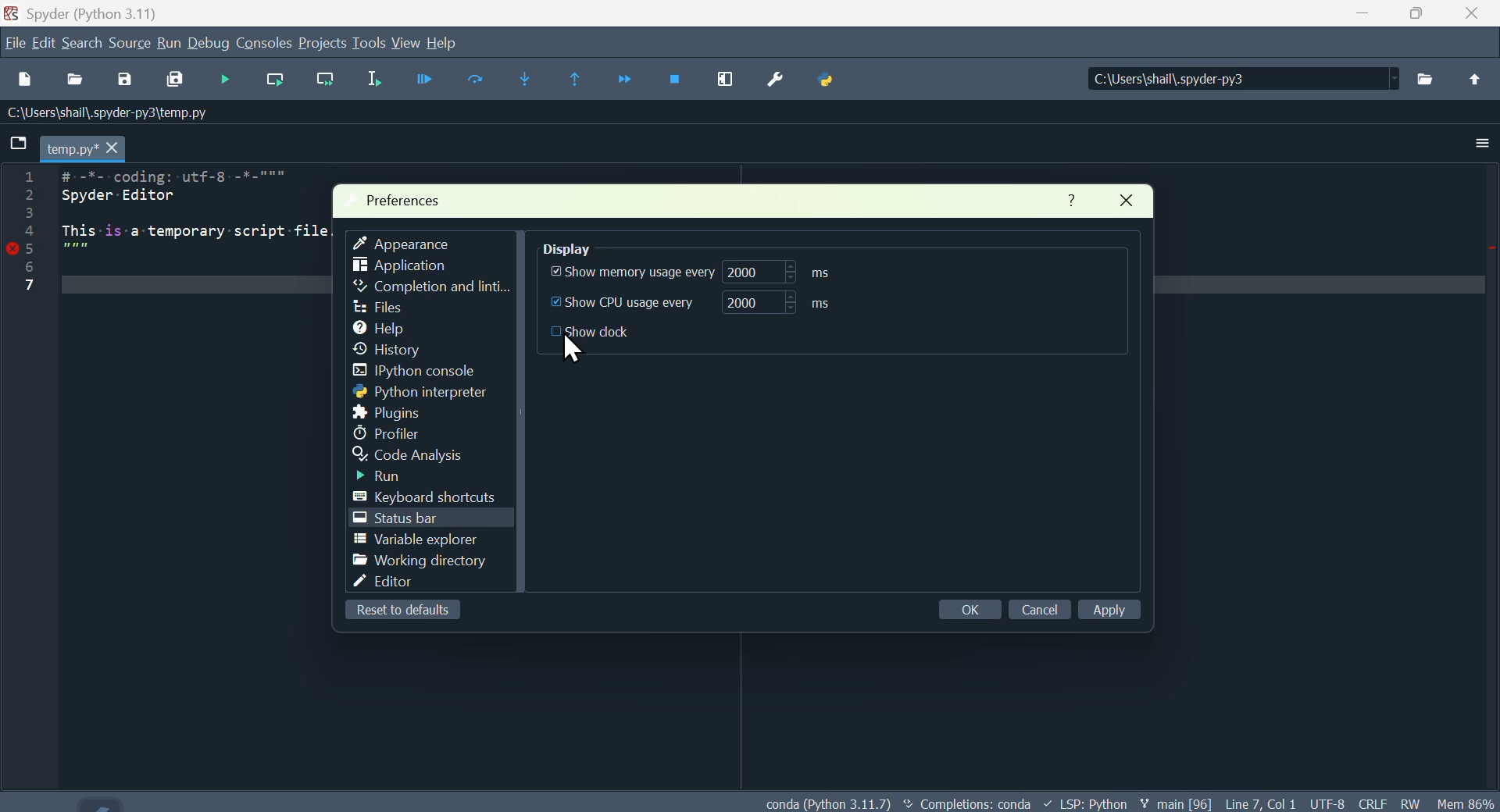 The image size is (1500, 812). I want to click on help, so click(384, 327).